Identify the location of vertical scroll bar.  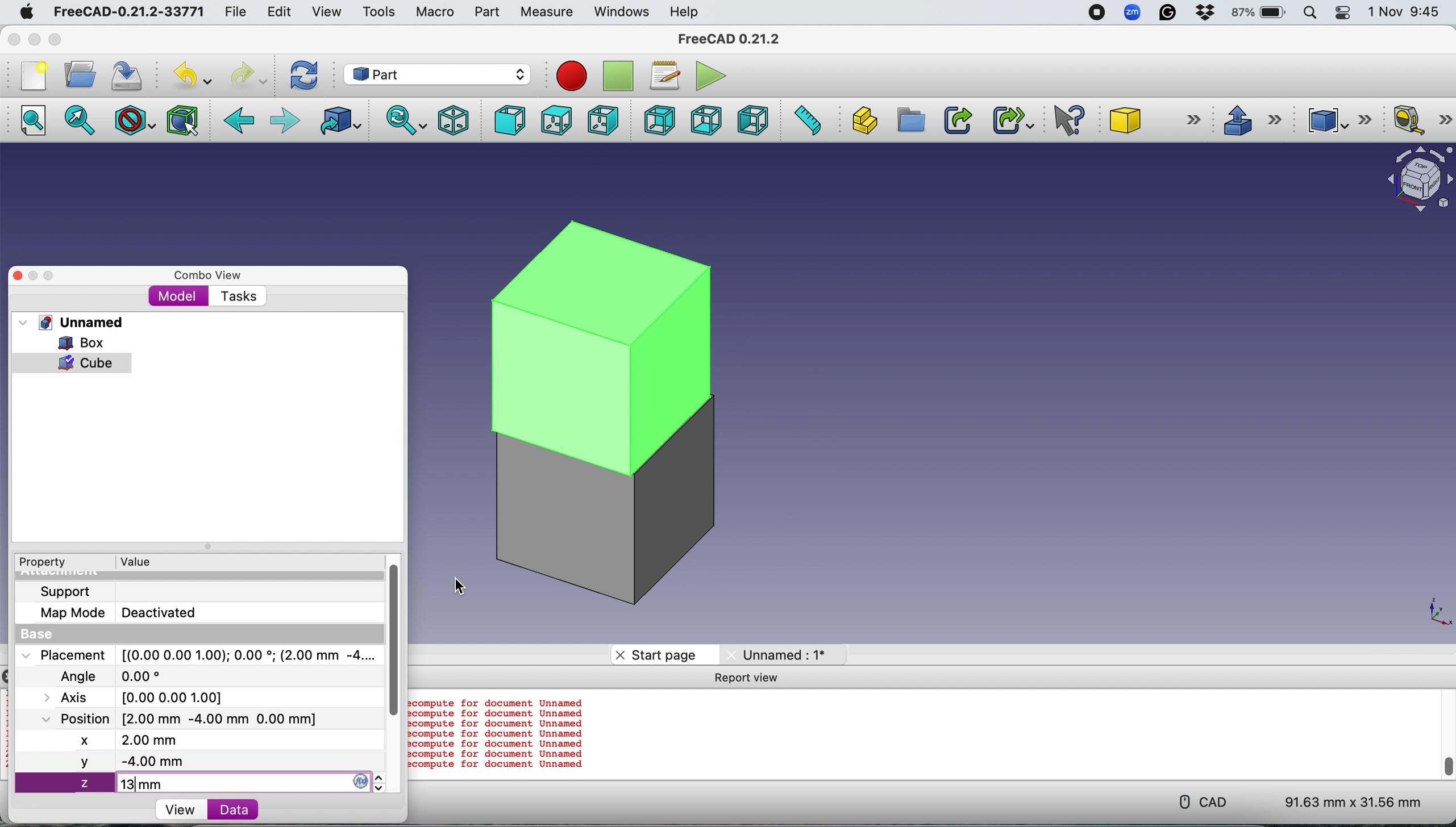
(396, 632).